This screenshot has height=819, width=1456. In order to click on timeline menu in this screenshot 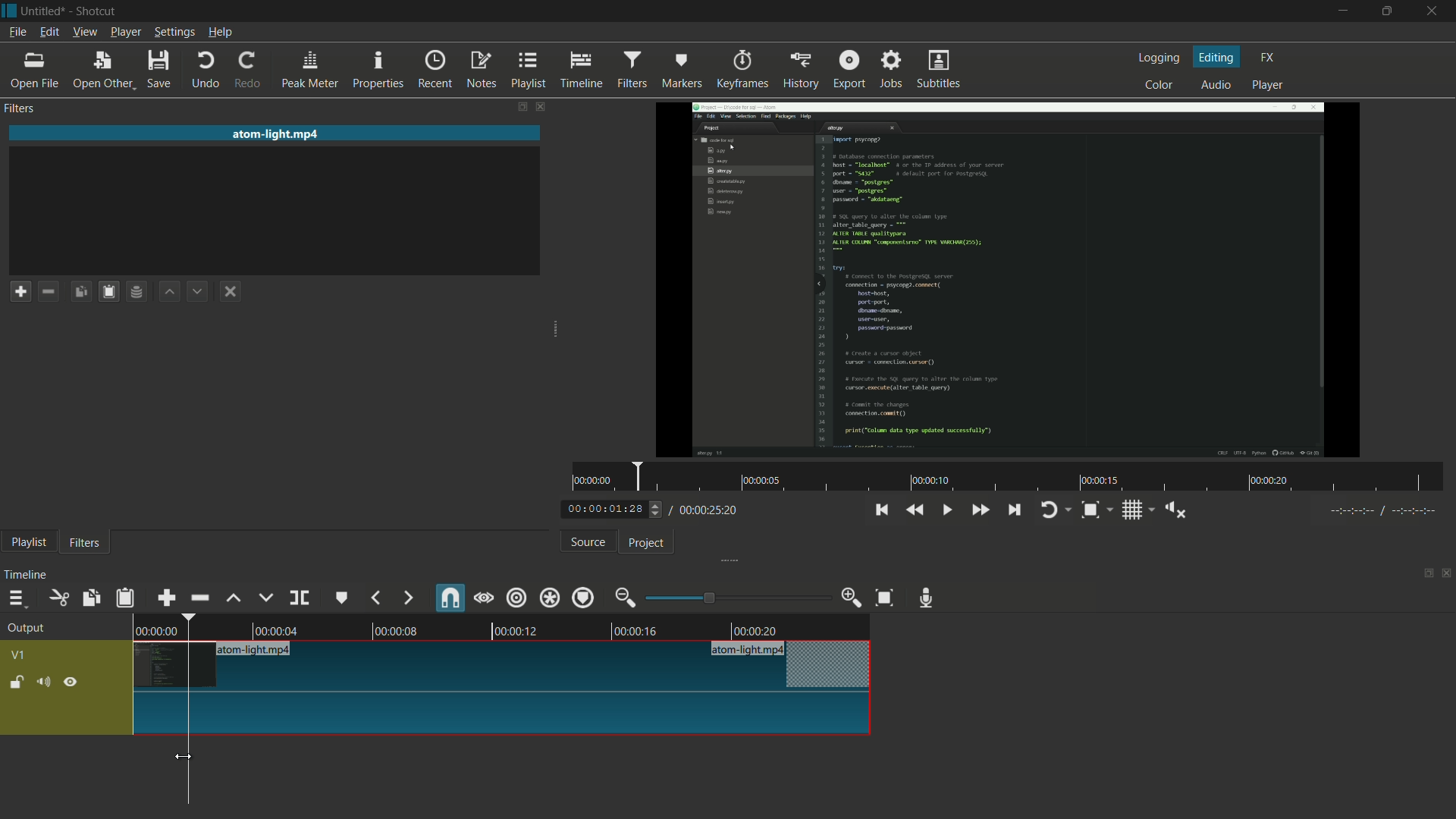, I will do `click(16, 598)`.